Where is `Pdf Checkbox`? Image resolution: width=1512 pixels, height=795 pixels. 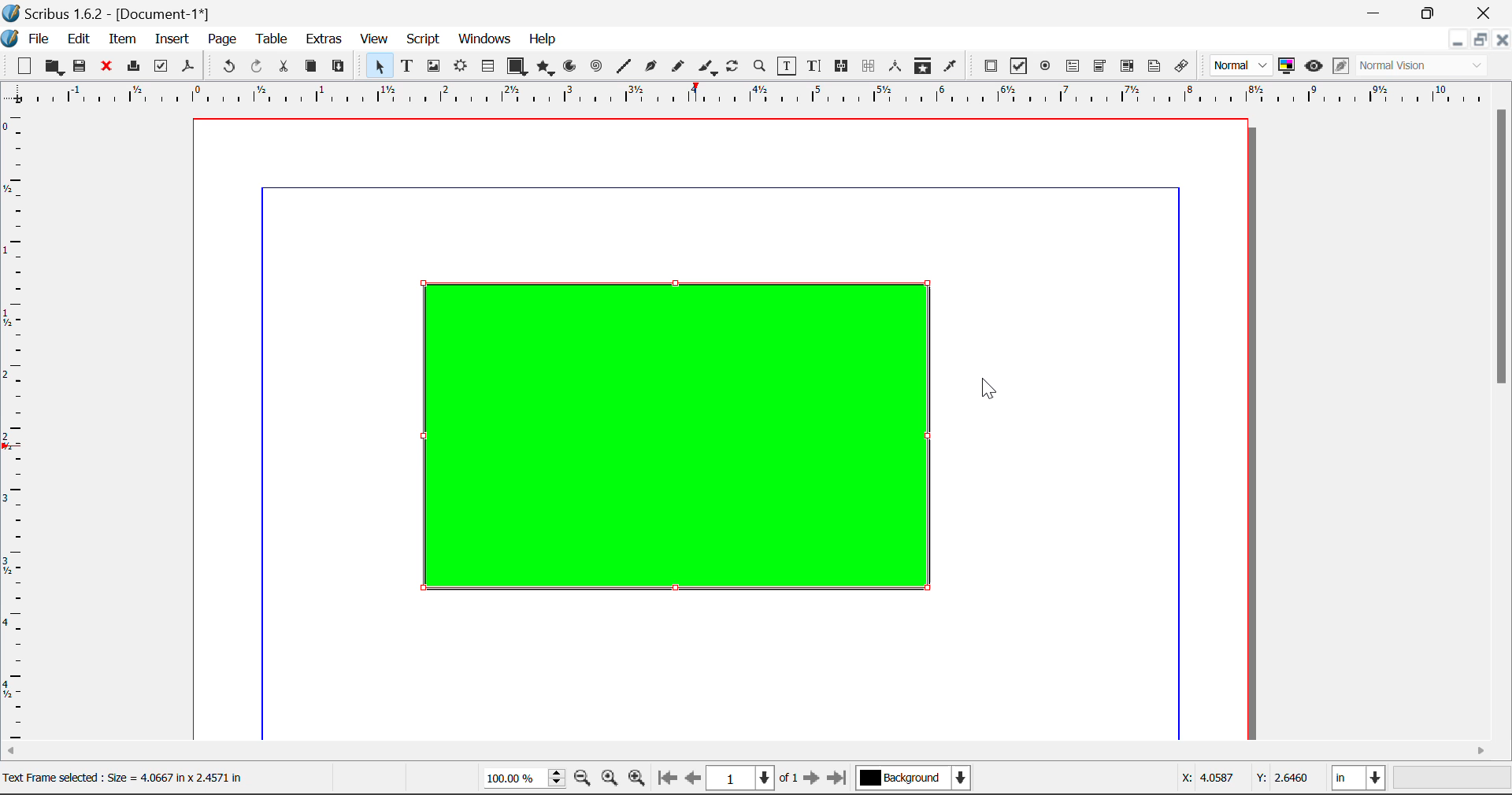
Pdf Checkbox is located at coordinates (1019, 66).